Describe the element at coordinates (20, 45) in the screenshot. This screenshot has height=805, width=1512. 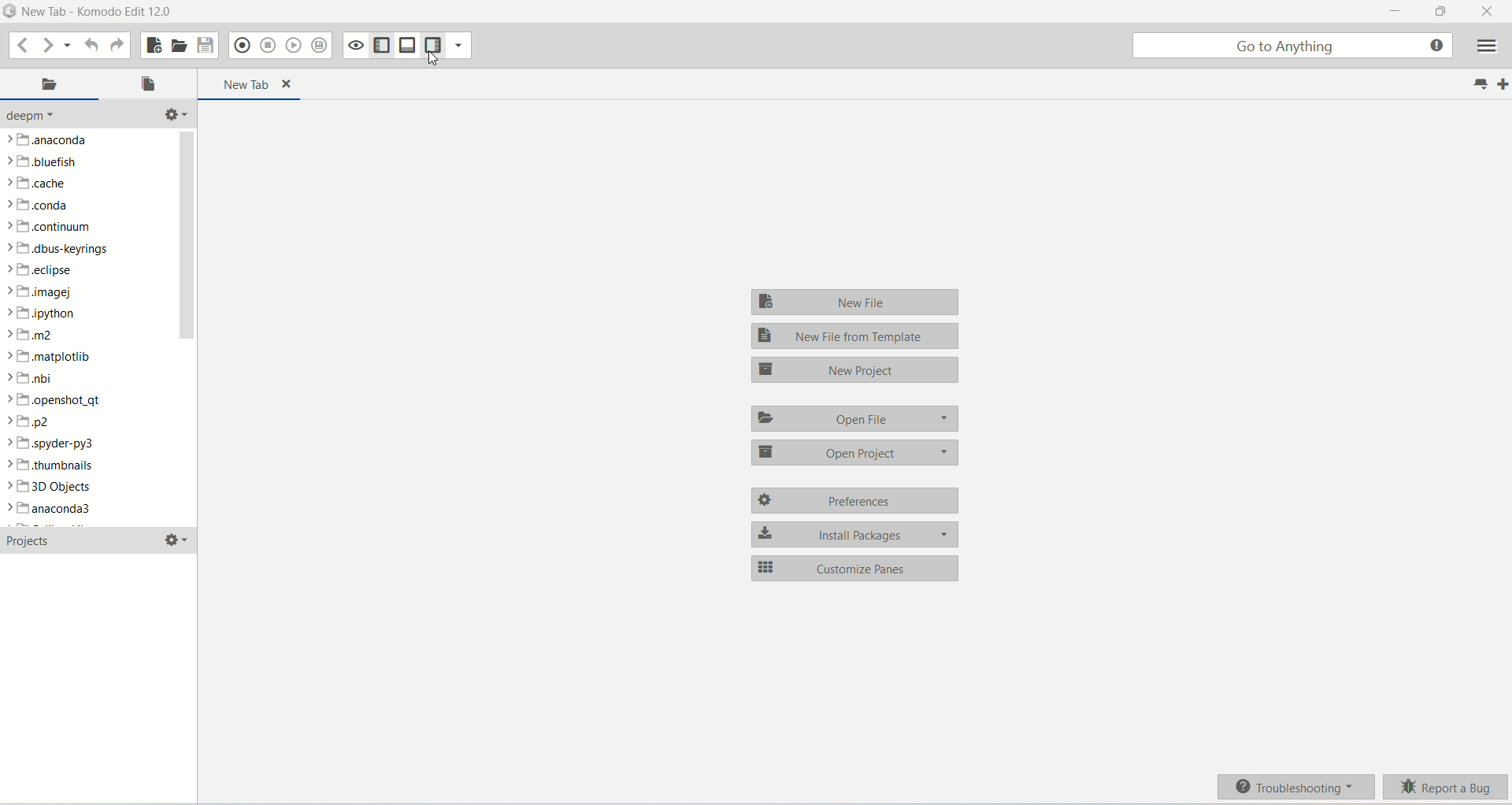
I see `go back one step` at that location.